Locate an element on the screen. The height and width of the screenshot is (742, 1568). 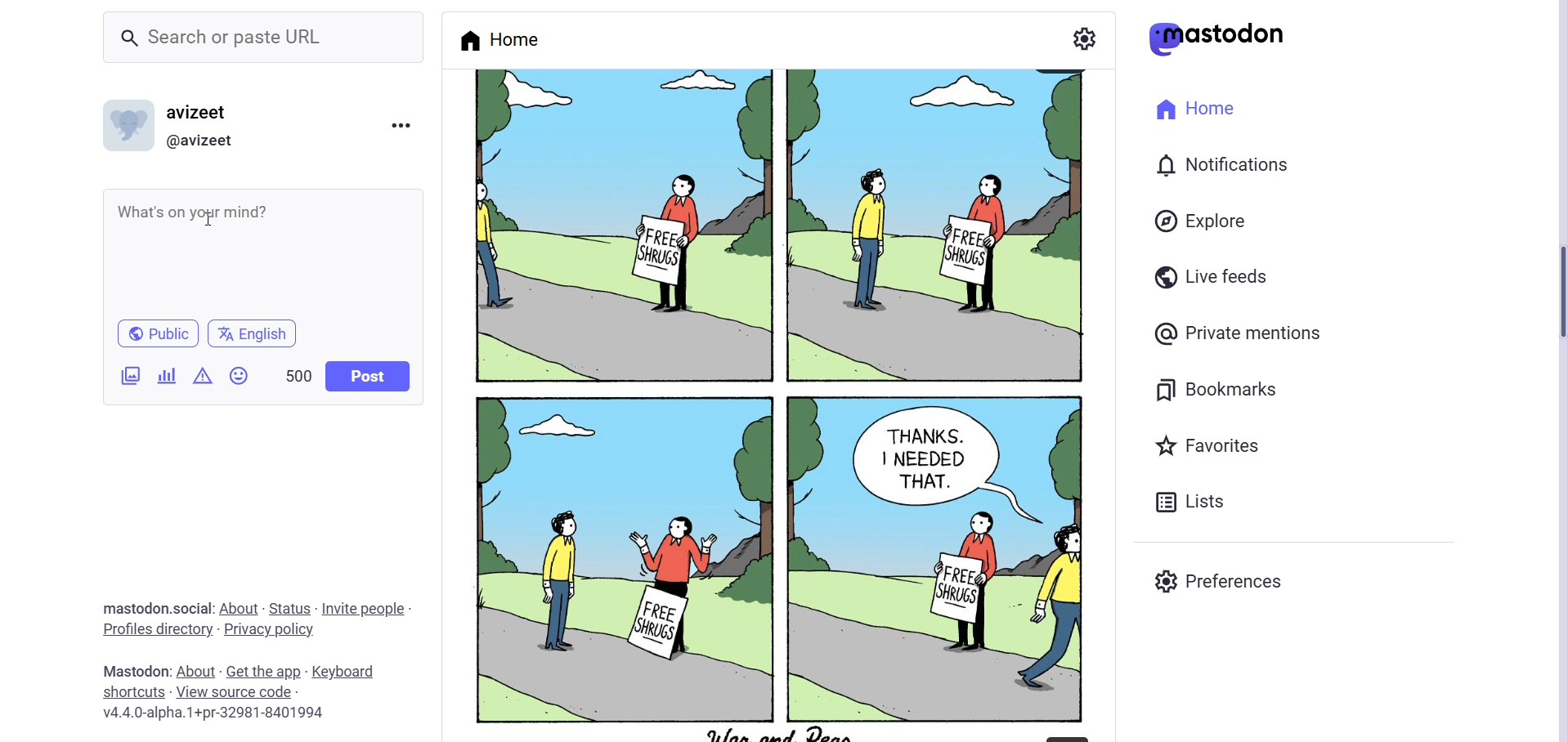
Preferences is located at coordinates (1224, 579).